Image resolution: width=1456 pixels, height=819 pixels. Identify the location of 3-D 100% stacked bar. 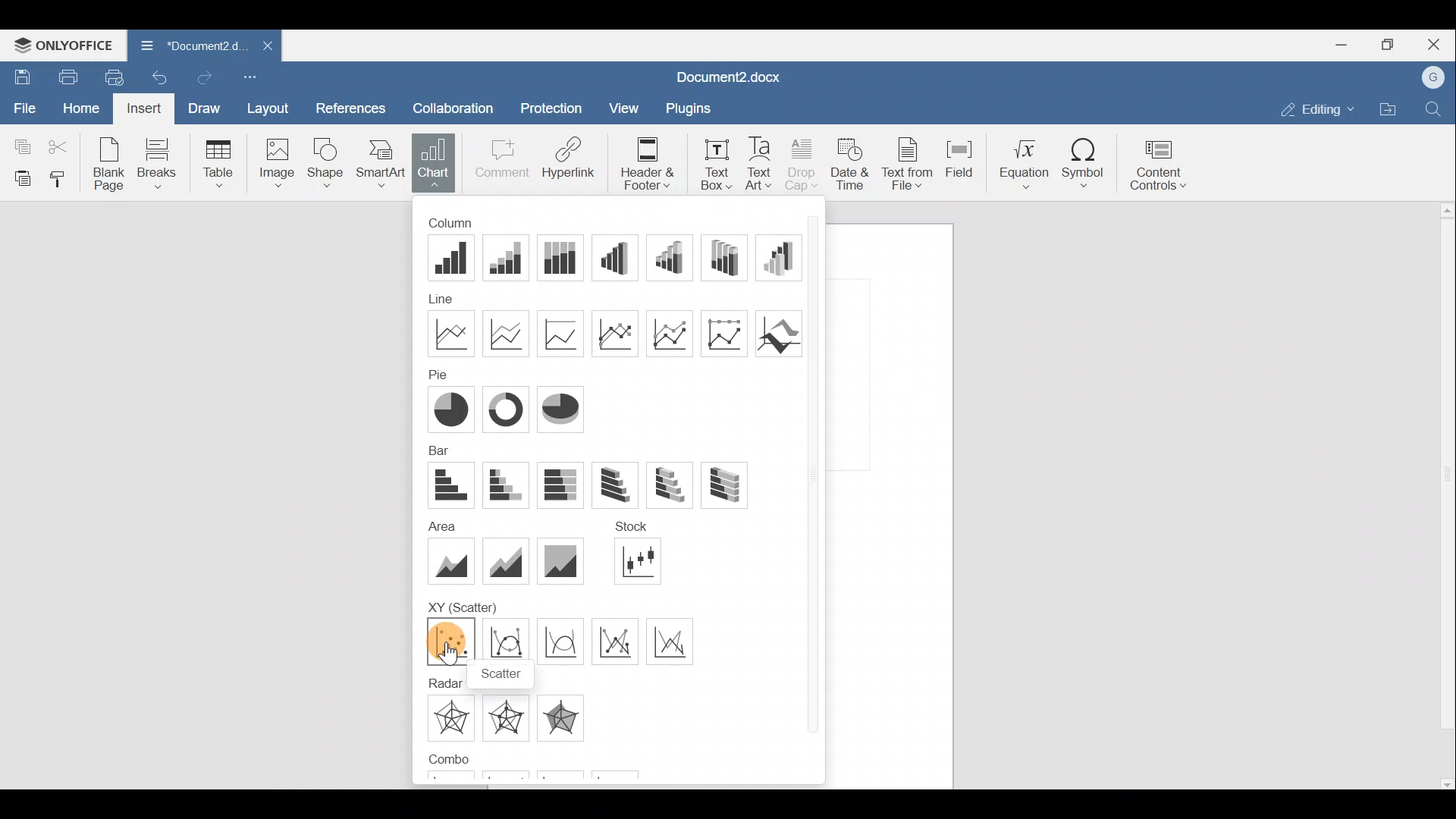
(723, 486).